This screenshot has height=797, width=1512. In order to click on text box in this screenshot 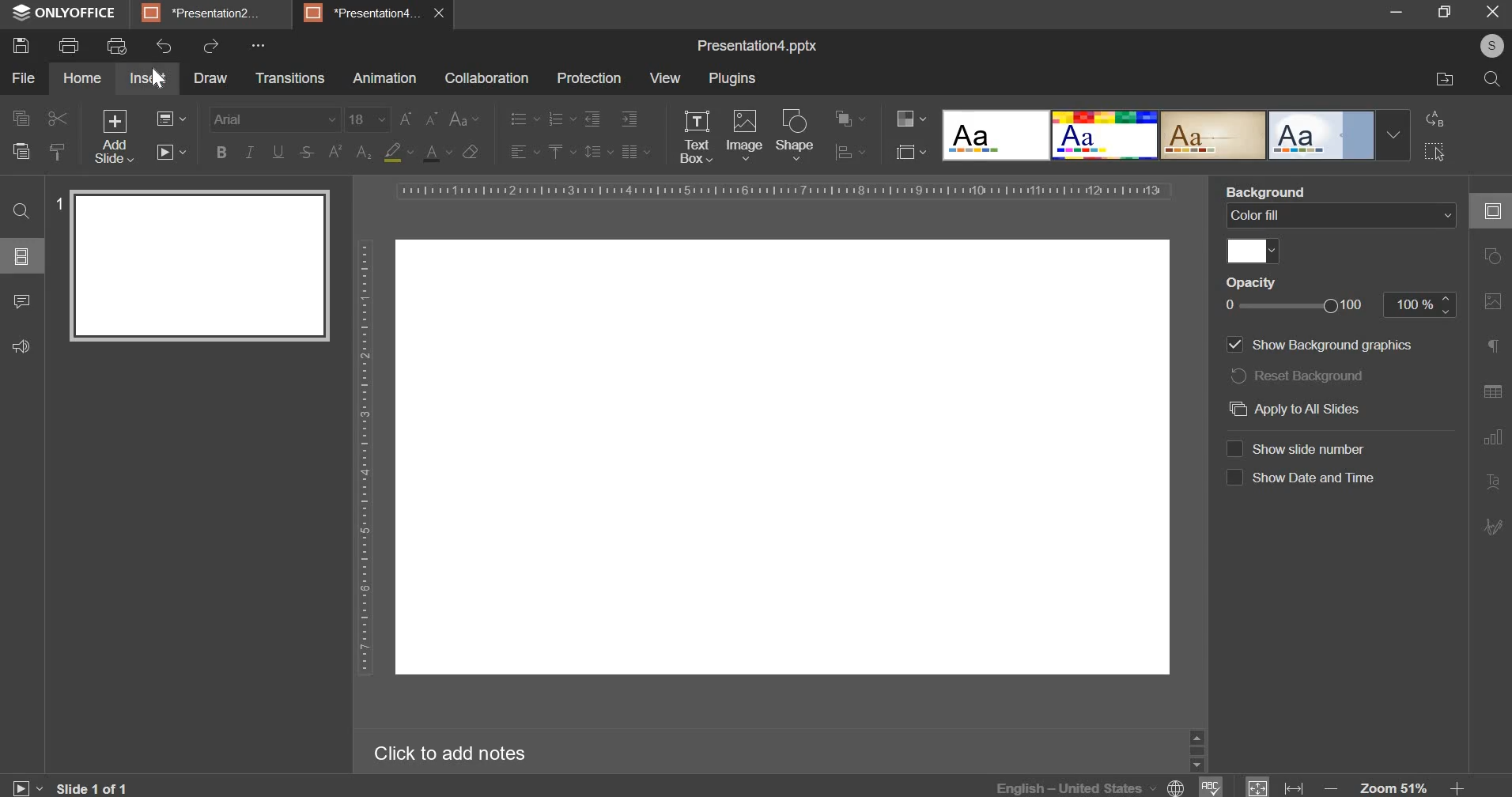, I will do `click(697, 137)`.